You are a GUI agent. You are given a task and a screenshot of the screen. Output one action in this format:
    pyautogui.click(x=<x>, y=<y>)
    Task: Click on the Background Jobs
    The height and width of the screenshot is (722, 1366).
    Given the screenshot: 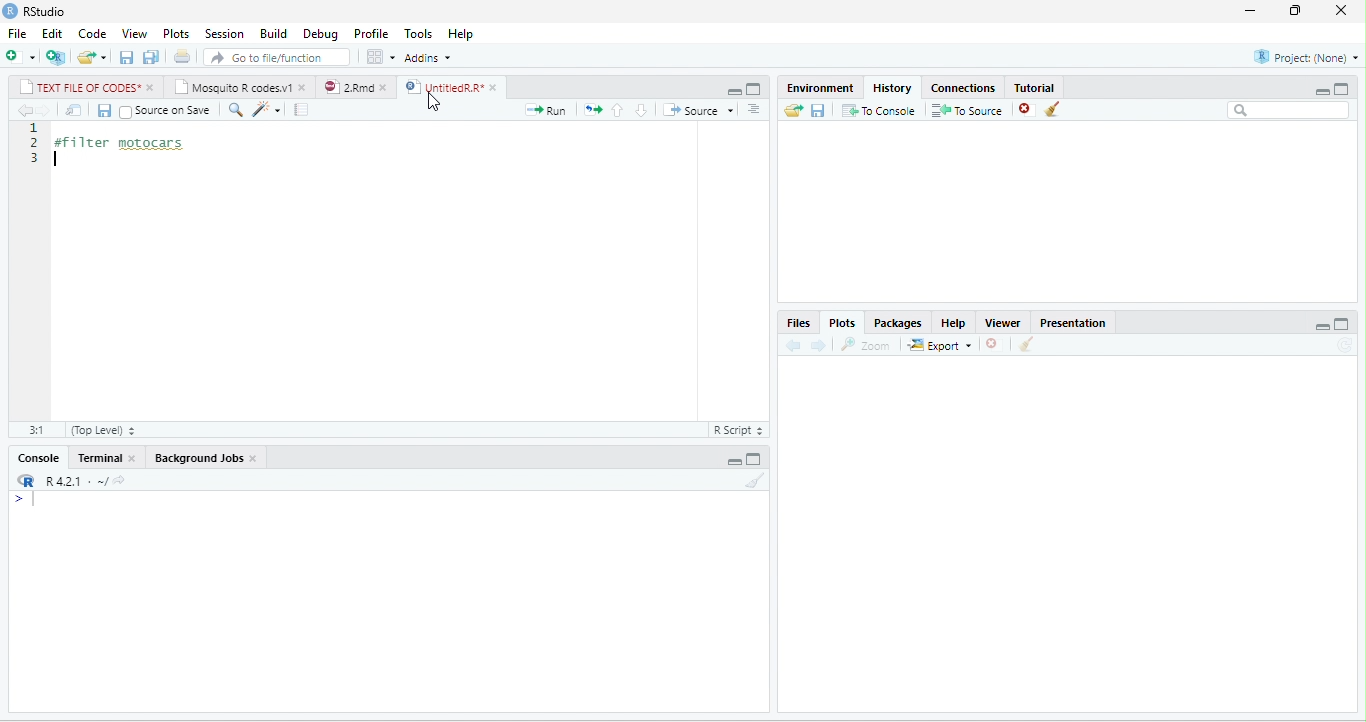 What is the action you would take?
    pyautogui.click(x=197, y=458)
    